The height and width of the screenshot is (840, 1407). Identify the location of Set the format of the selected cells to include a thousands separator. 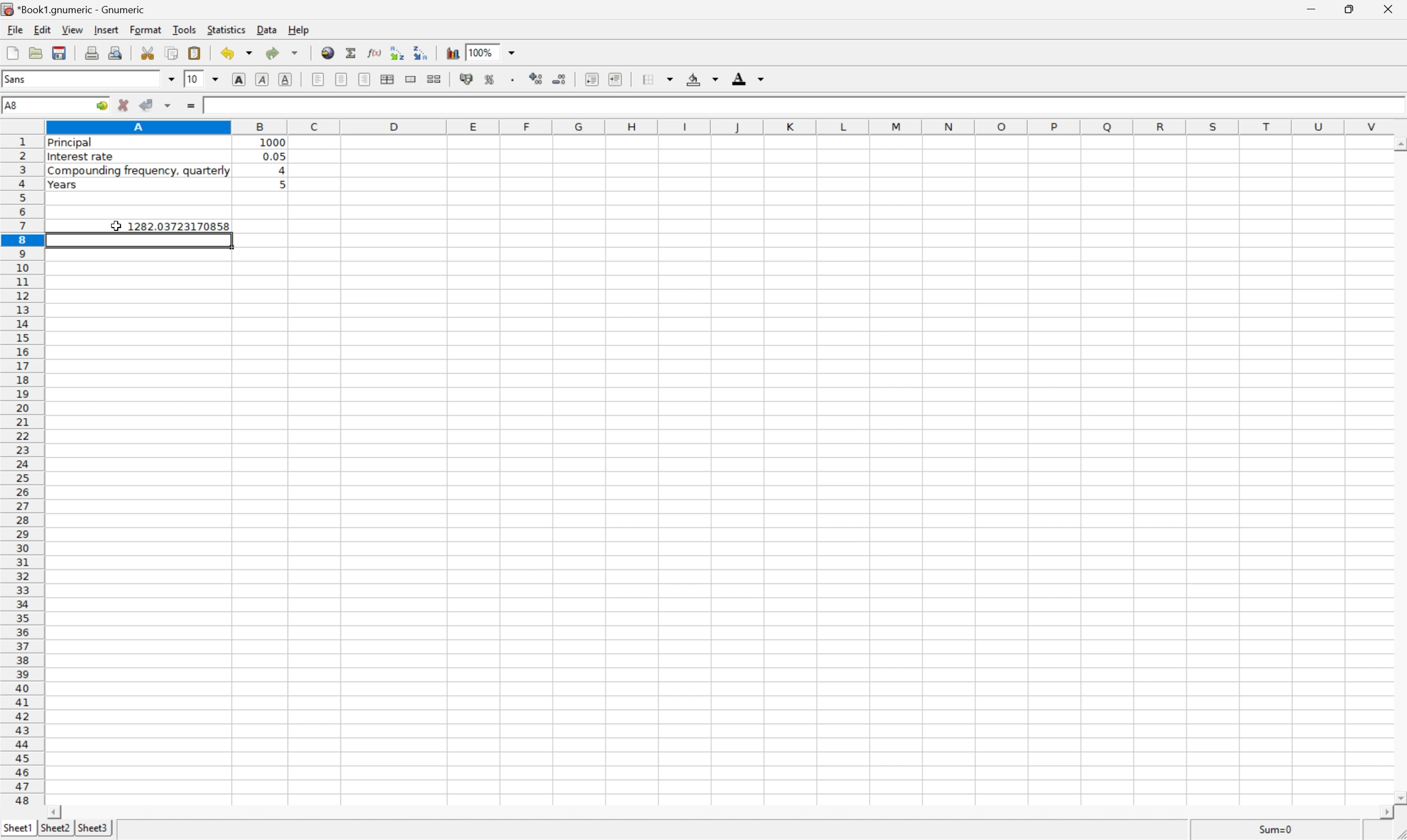
(513, 79).